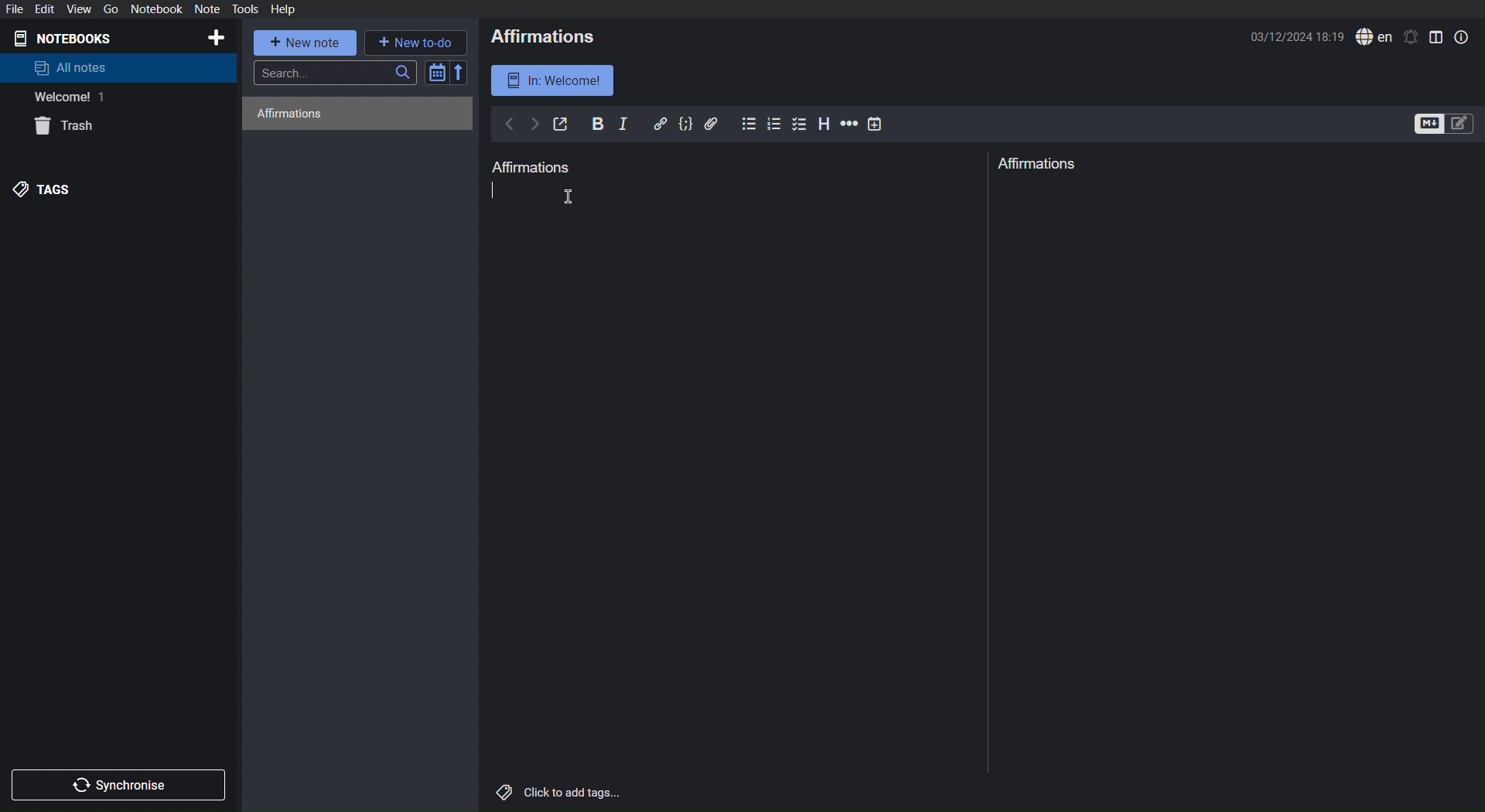 The image size is (1485, 812). What do you see at coordinates (545, 37) in the screenshot?
I see `Affirmations` at bounding box center [545, 37].